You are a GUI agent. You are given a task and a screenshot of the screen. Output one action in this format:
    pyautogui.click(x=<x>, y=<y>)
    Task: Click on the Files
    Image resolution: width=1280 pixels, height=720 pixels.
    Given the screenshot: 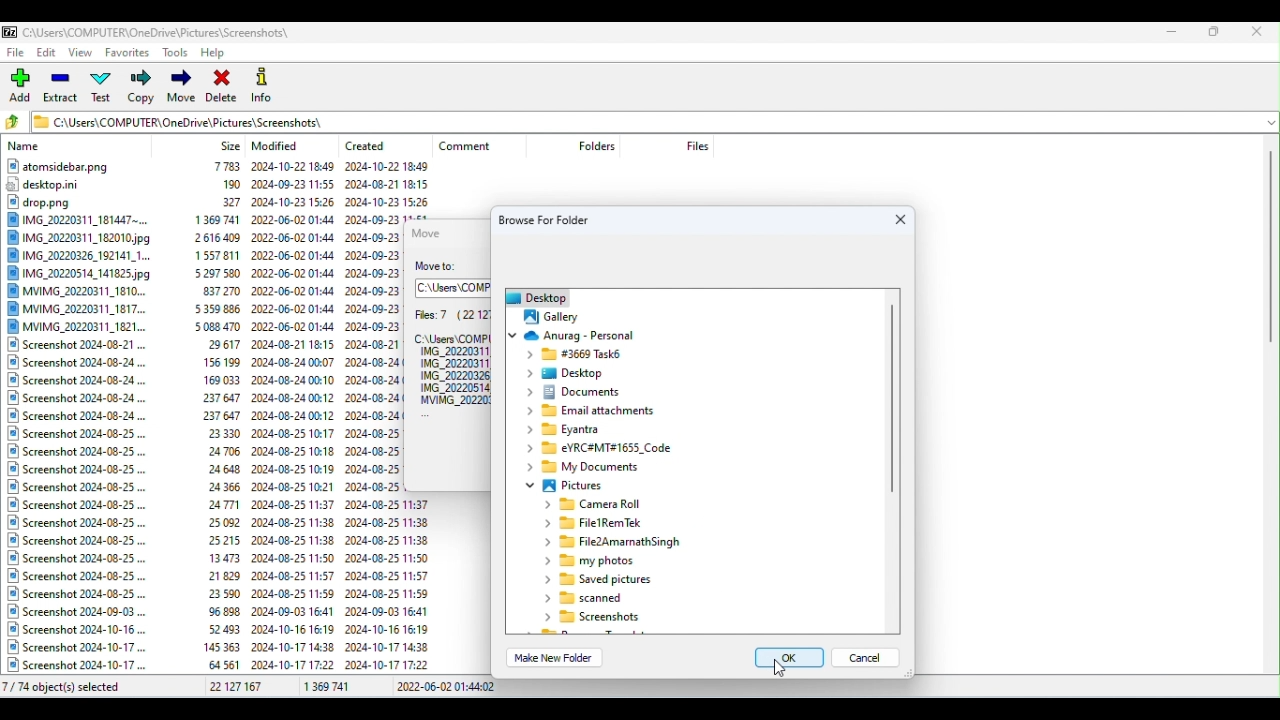 What is the action you would take?
    pyautogui.click(x=450, y=358)
    